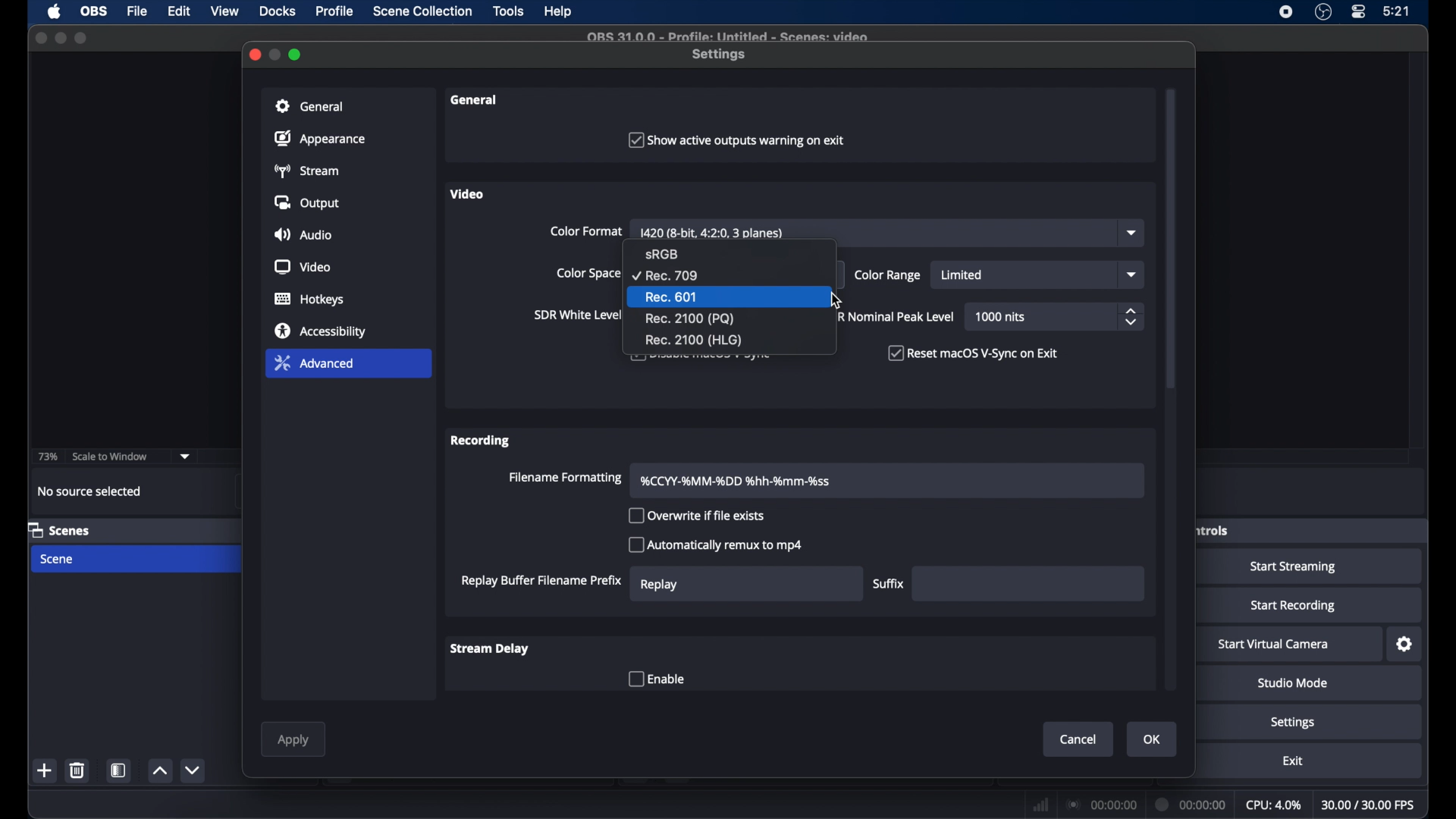  Describe the element at coordinates (276, 55) in the screenshot. I see `minimize` at that location.